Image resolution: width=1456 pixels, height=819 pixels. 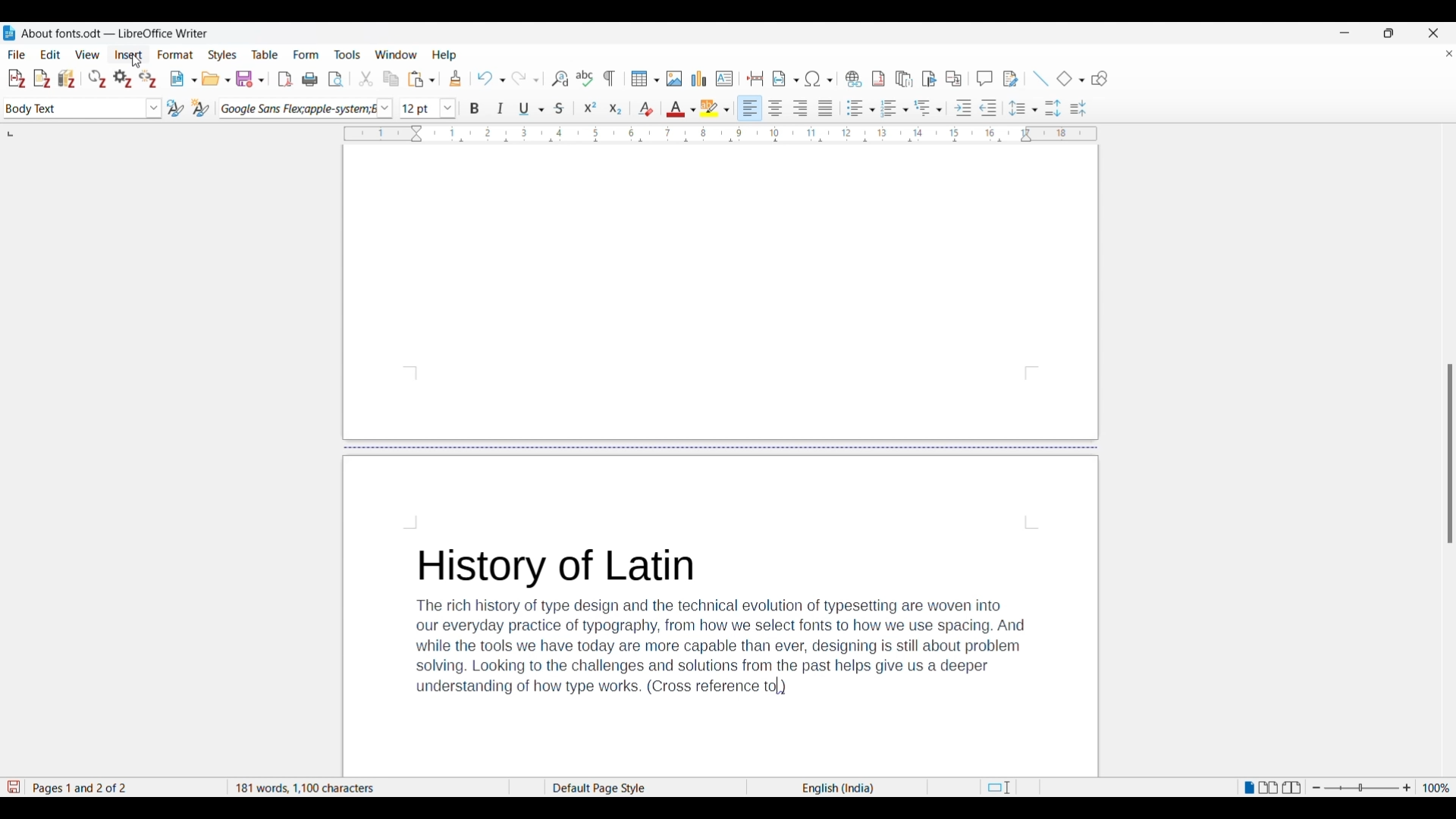 I want to click on Clear direct formatting , so click(x=646, y=108).